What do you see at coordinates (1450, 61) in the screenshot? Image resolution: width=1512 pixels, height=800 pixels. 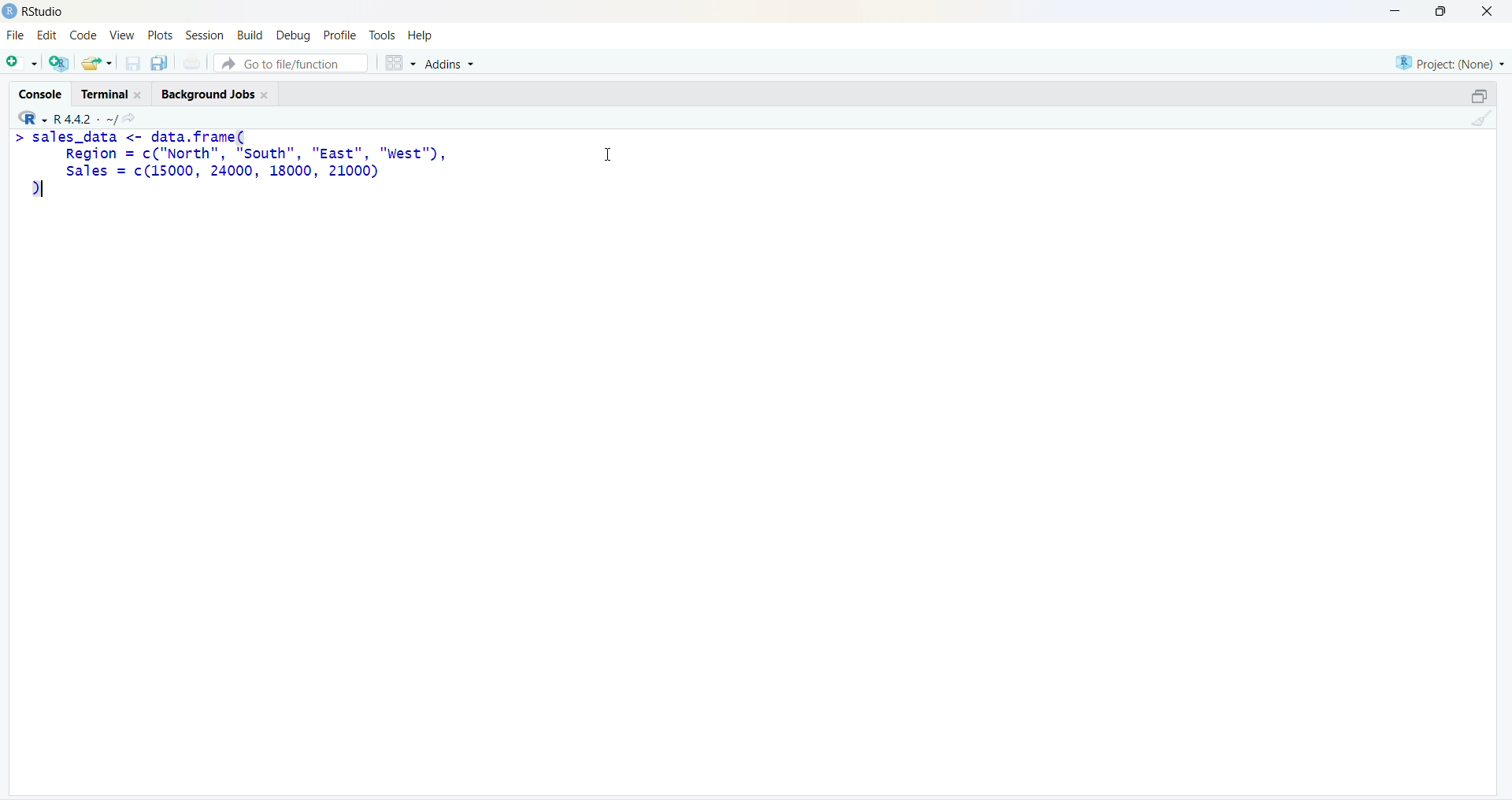 I see `Project: (None)` at bounding box center [1450, 61].